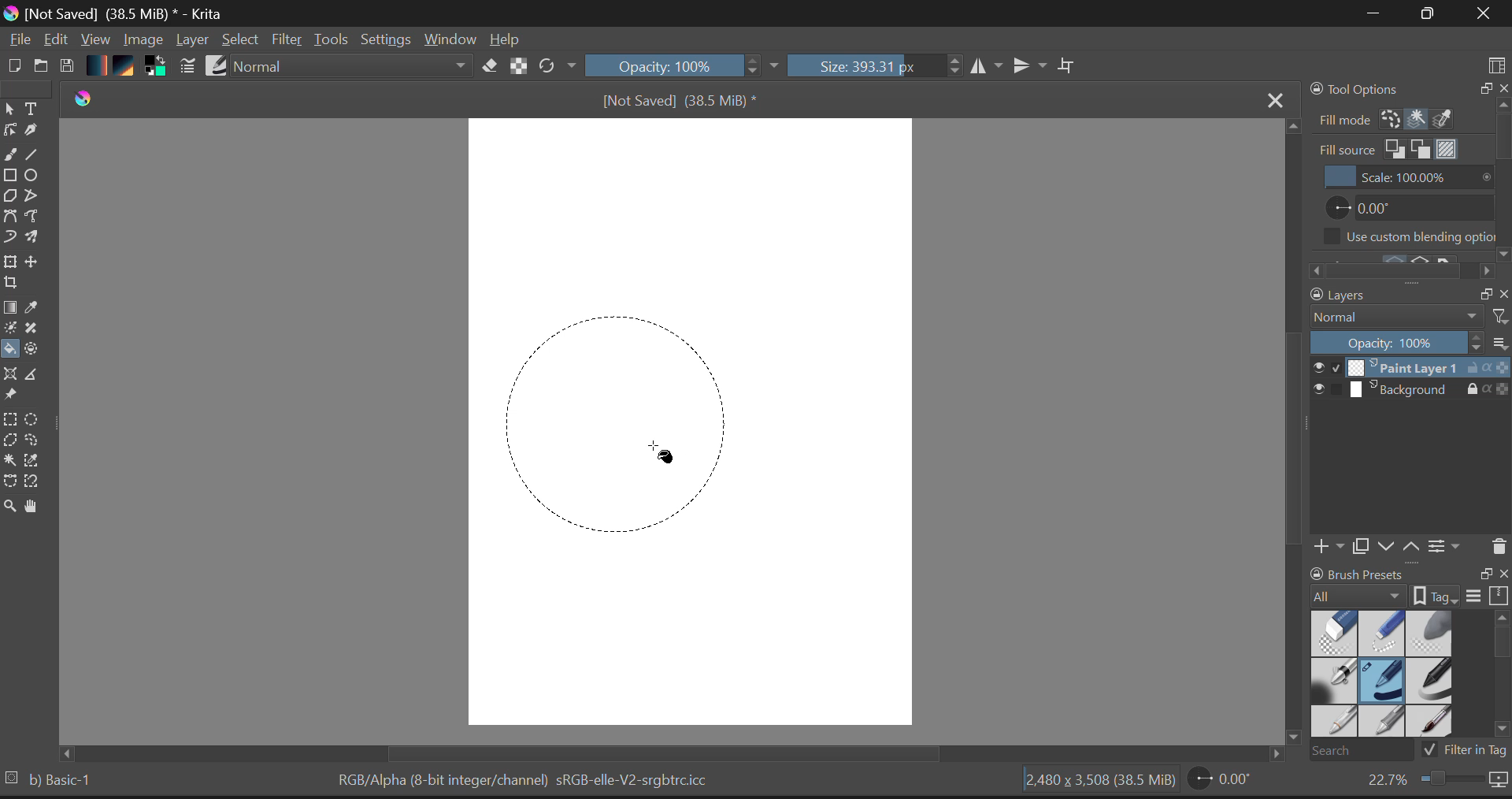  Describe the element at coordinates (13, 262) in the screenshot. I see `Transform Layers` at that location.